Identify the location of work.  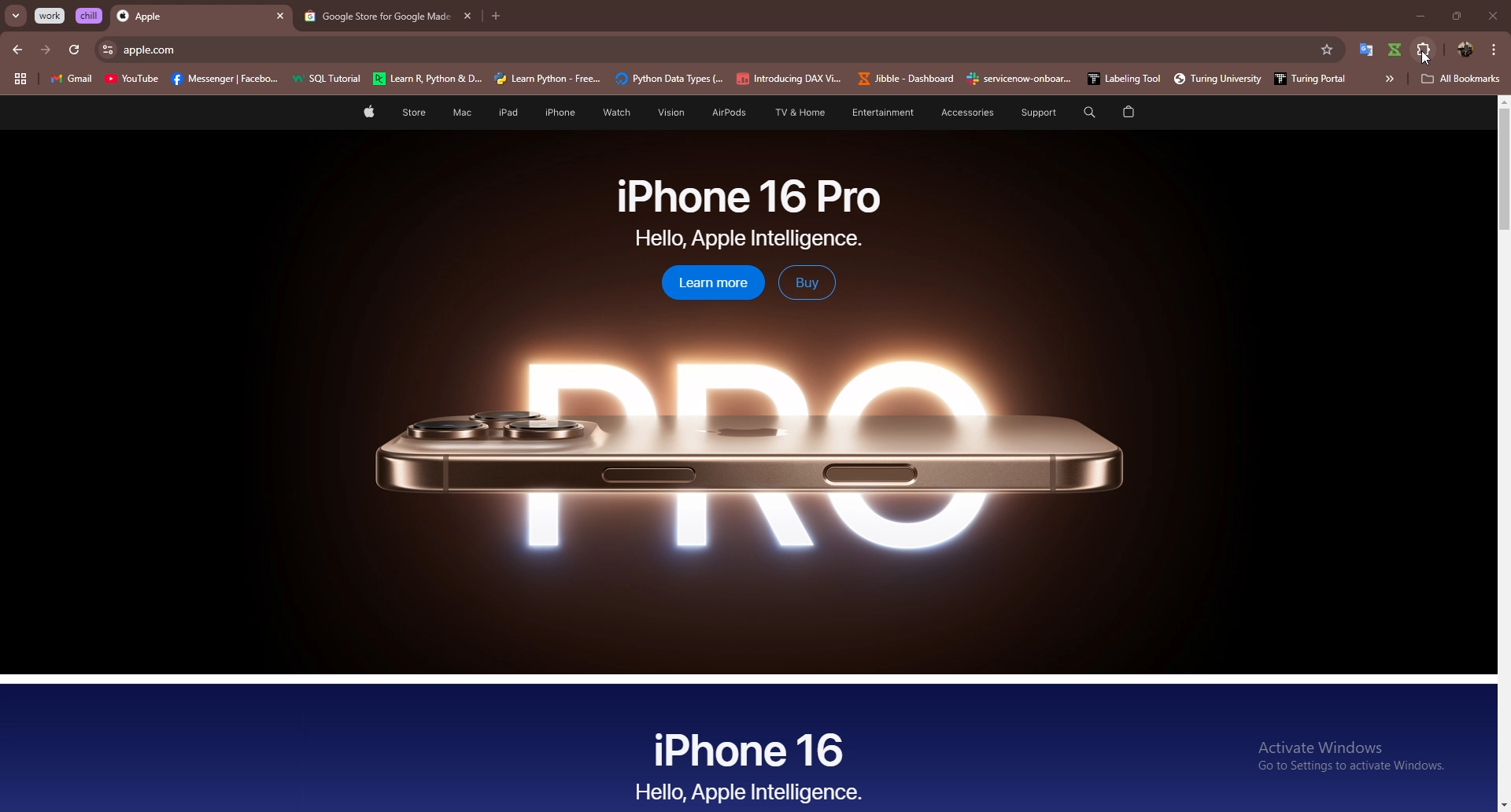
(51, 16).